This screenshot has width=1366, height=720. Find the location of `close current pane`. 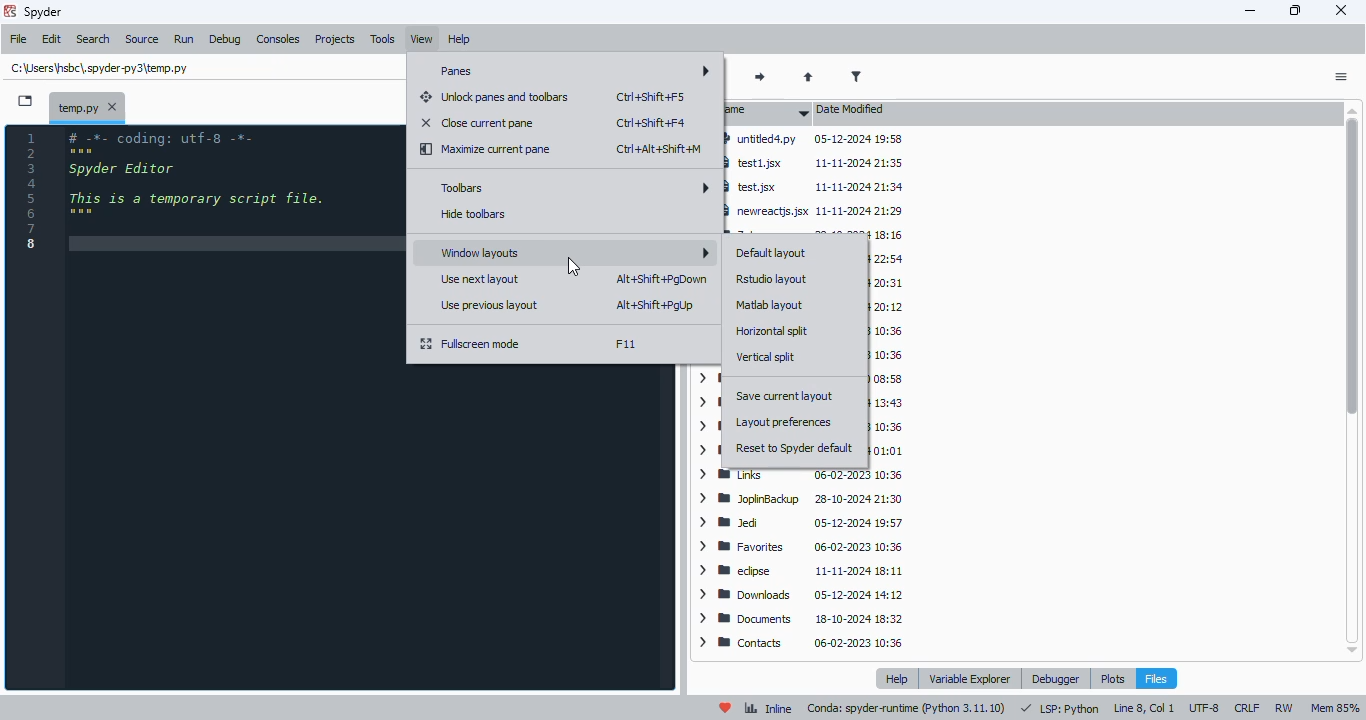

close current pane is located at coordinates (477, 123).